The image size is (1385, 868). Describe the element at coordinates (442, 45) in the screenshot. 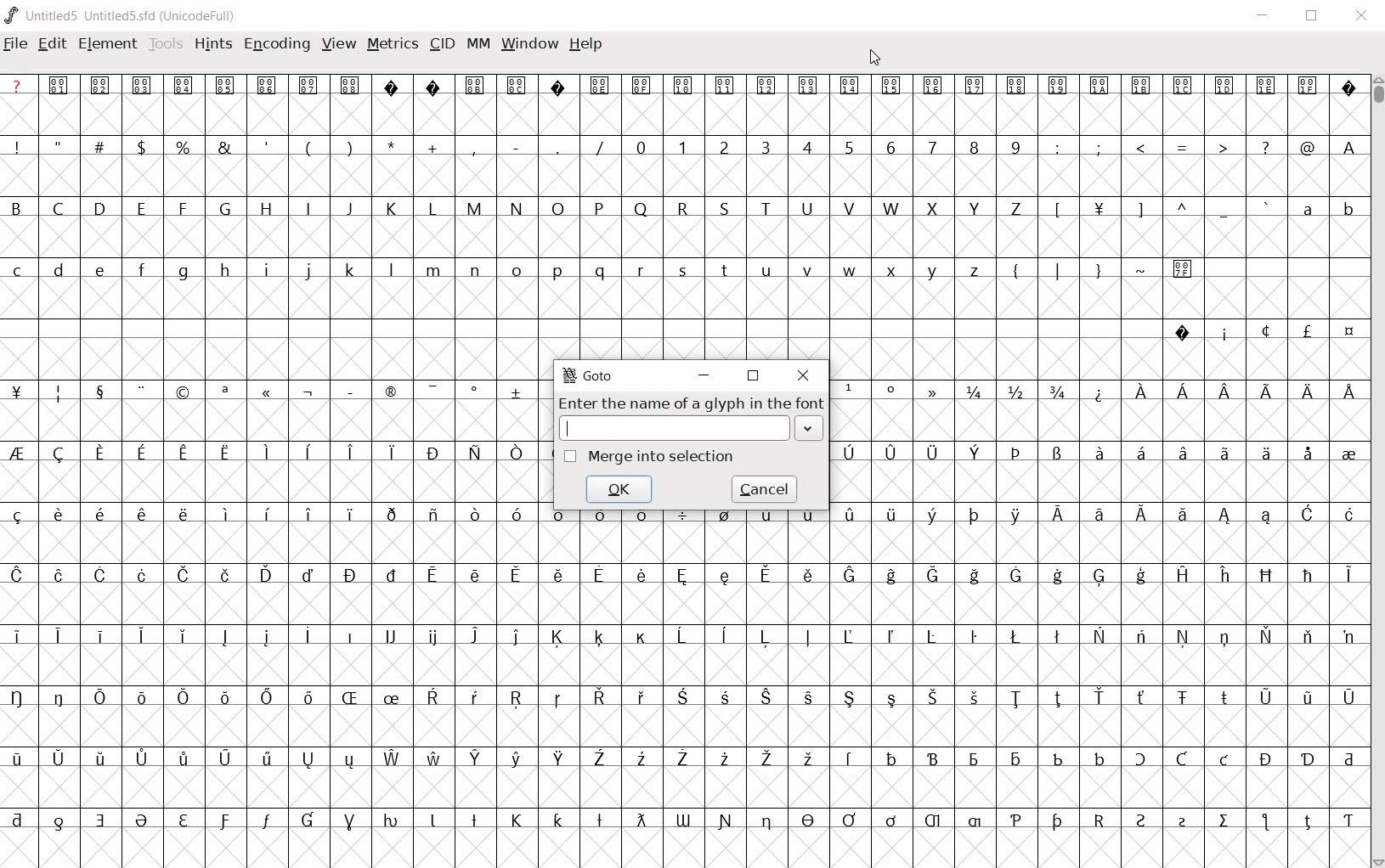

I see `CID` at that location.